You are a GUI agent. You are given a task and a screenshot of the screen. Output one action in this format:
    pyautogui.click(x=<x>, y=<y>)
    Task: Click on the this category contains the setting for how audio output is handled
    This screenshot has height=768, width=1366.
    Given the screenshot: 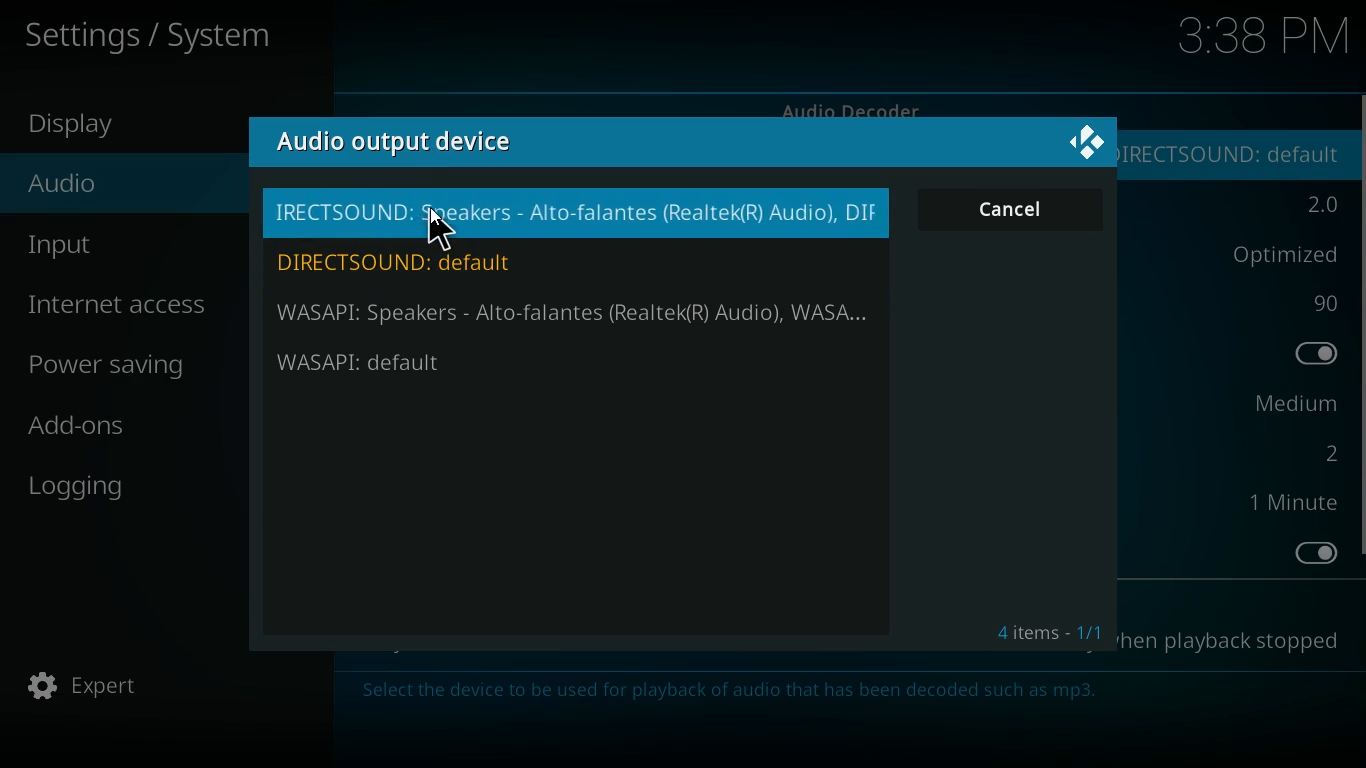 What is the action you would take?
    pyautogui.click(x=749, y=693)
    